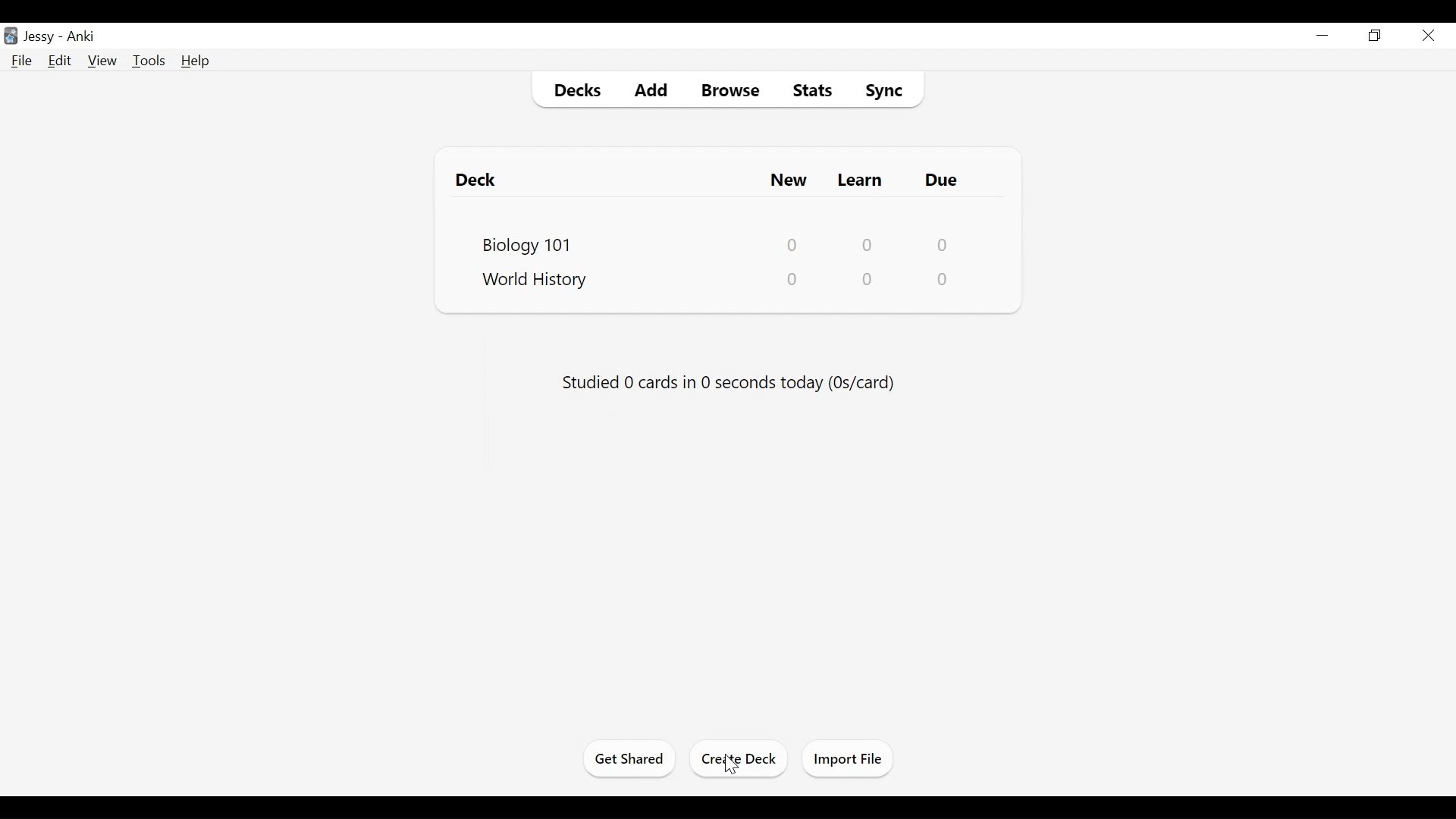 This screenshot has height=819, width=1456. I want to click on Learn Card Count, so click(868, 243).